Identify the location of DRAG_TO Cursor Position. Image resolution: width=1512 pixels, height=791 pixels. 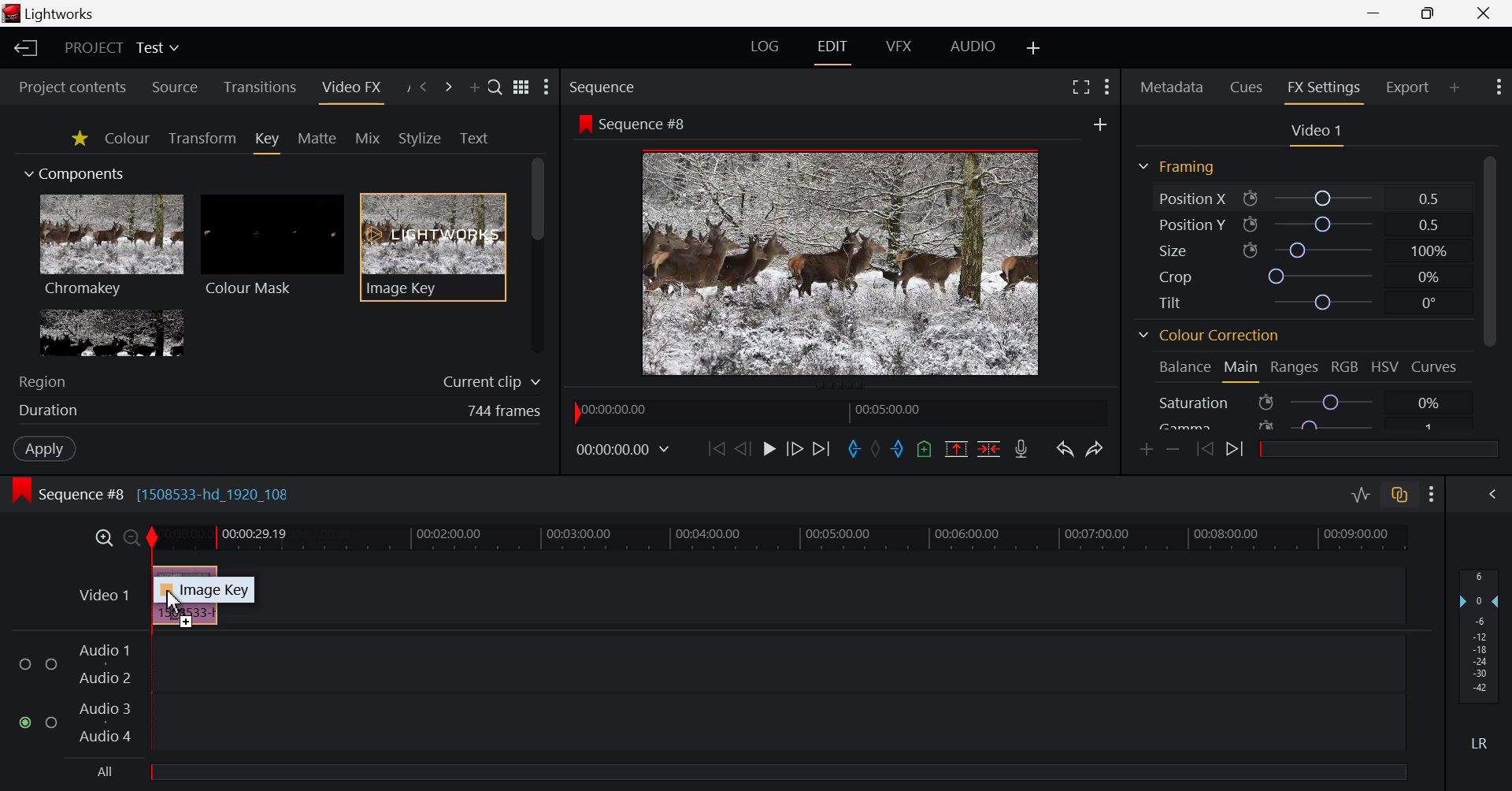
(171, 603).